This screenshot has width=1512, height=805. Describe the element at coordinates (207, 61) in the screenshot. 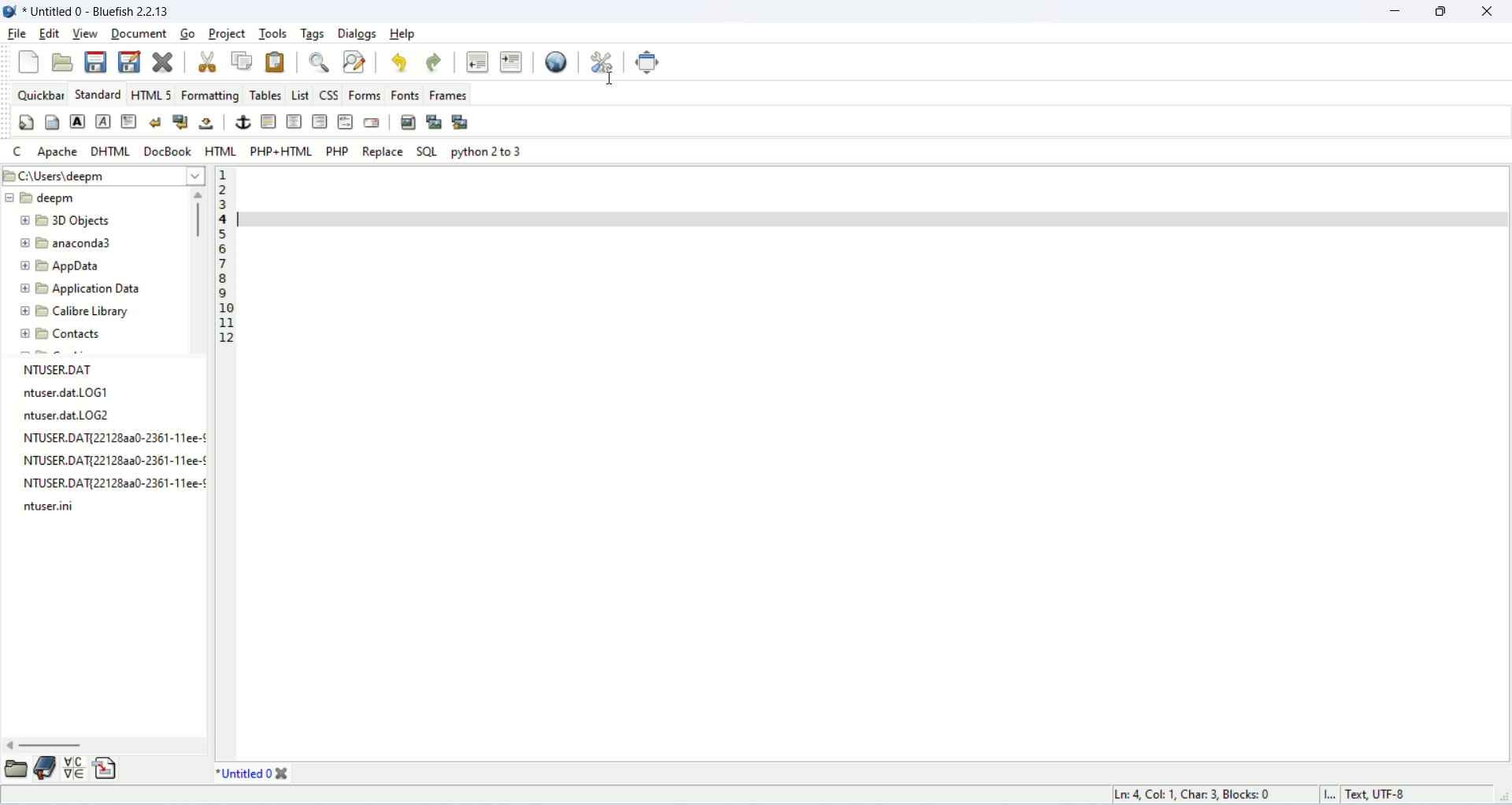

I see `cut` at that location.